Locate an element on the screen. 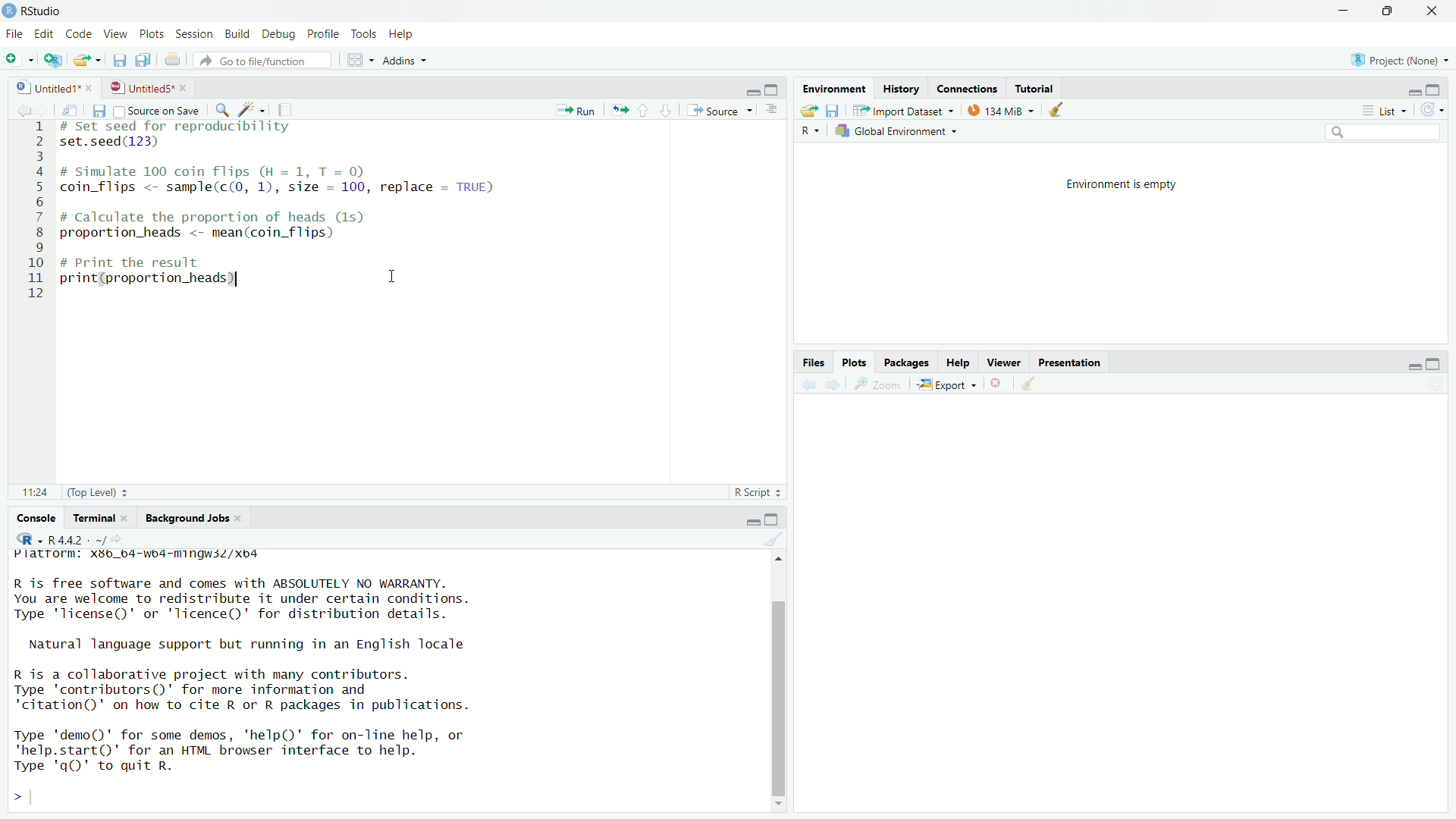 Image resolution: width=1456 pixels, height=819 pixels. import dataset is located at coordinates (902, 108).